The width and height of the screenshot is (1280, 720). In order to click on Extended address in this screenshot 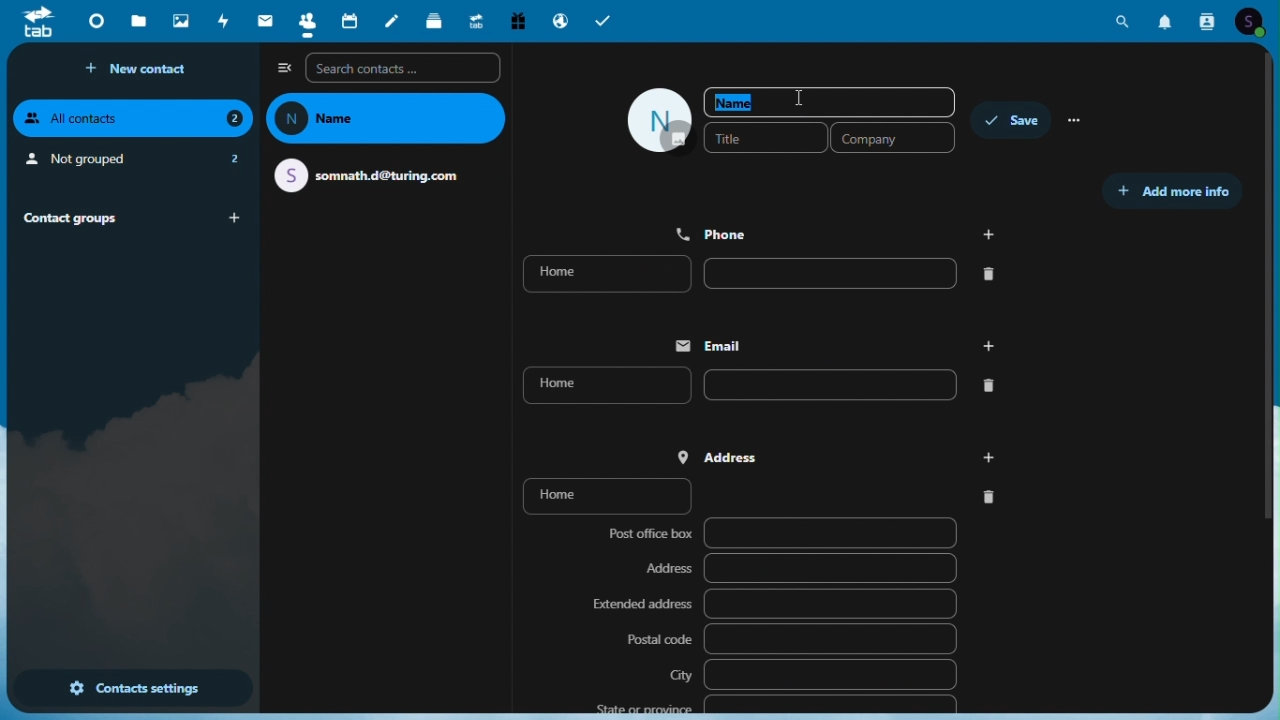, I will do `click(773, 605)`.